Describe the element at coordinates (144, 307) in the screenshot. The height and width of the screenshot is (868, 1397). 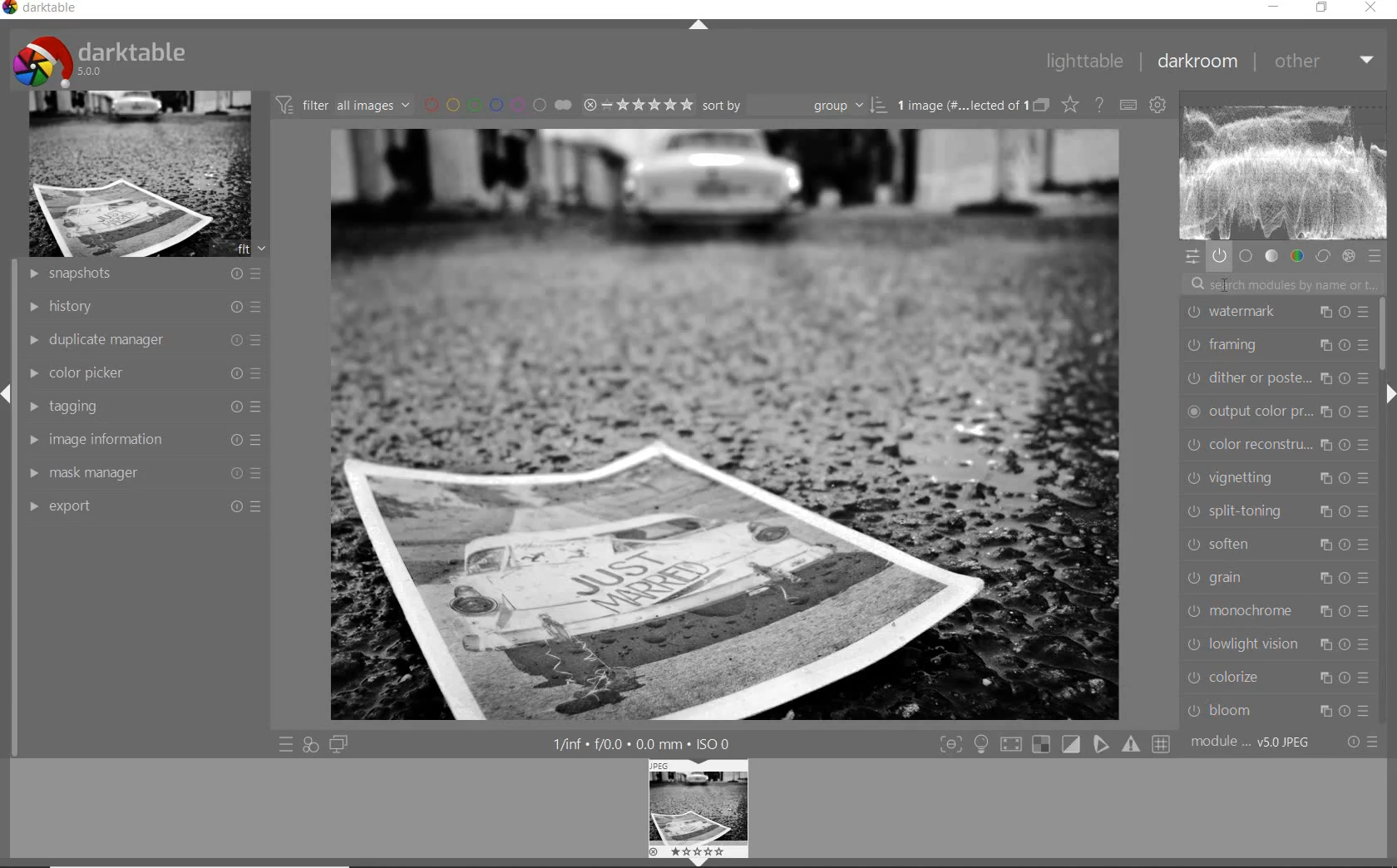
I see `history` at that location.